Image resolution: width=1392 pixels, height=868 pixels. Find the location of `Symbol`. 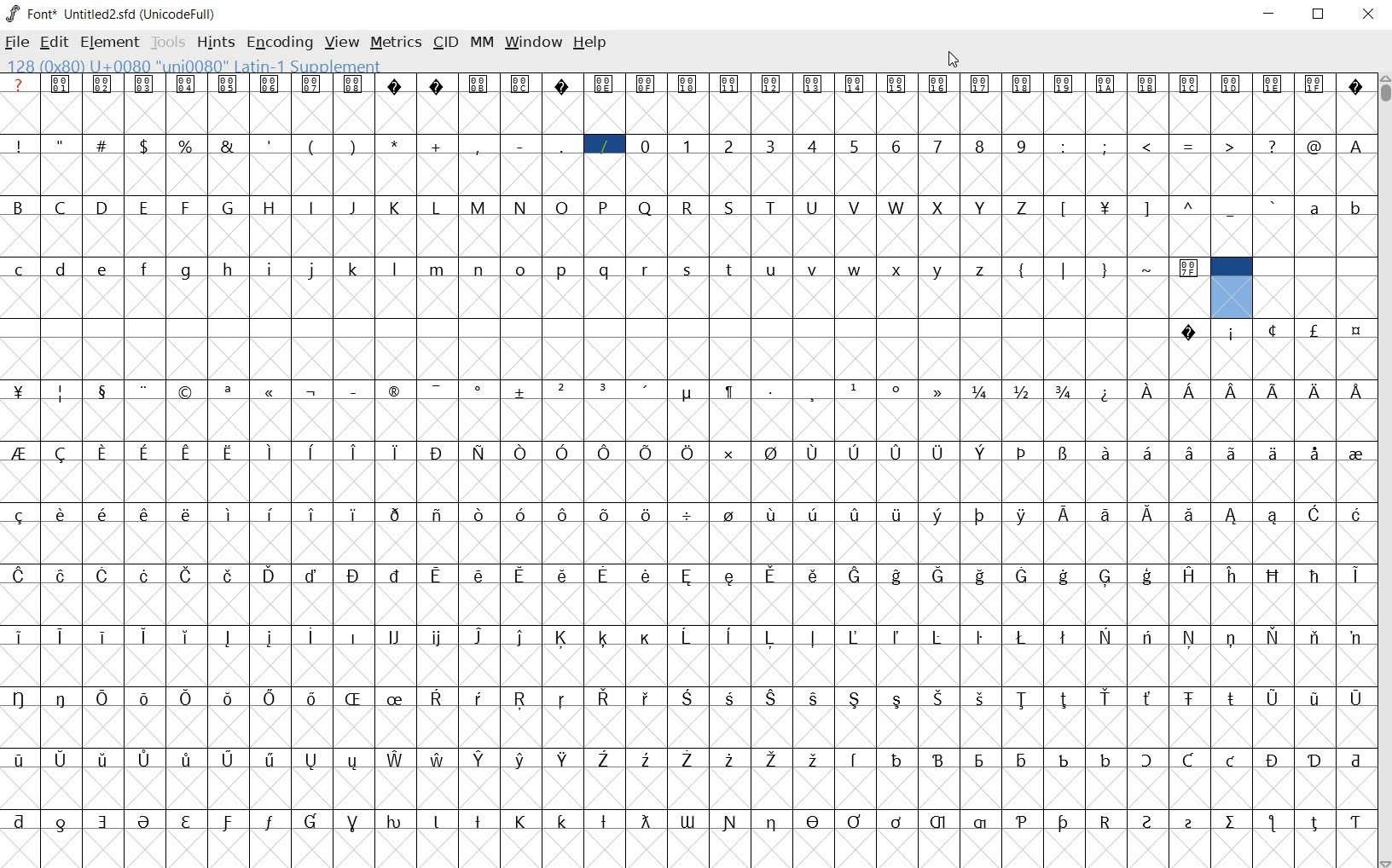

Symbol is located at coordinates (272, 759).